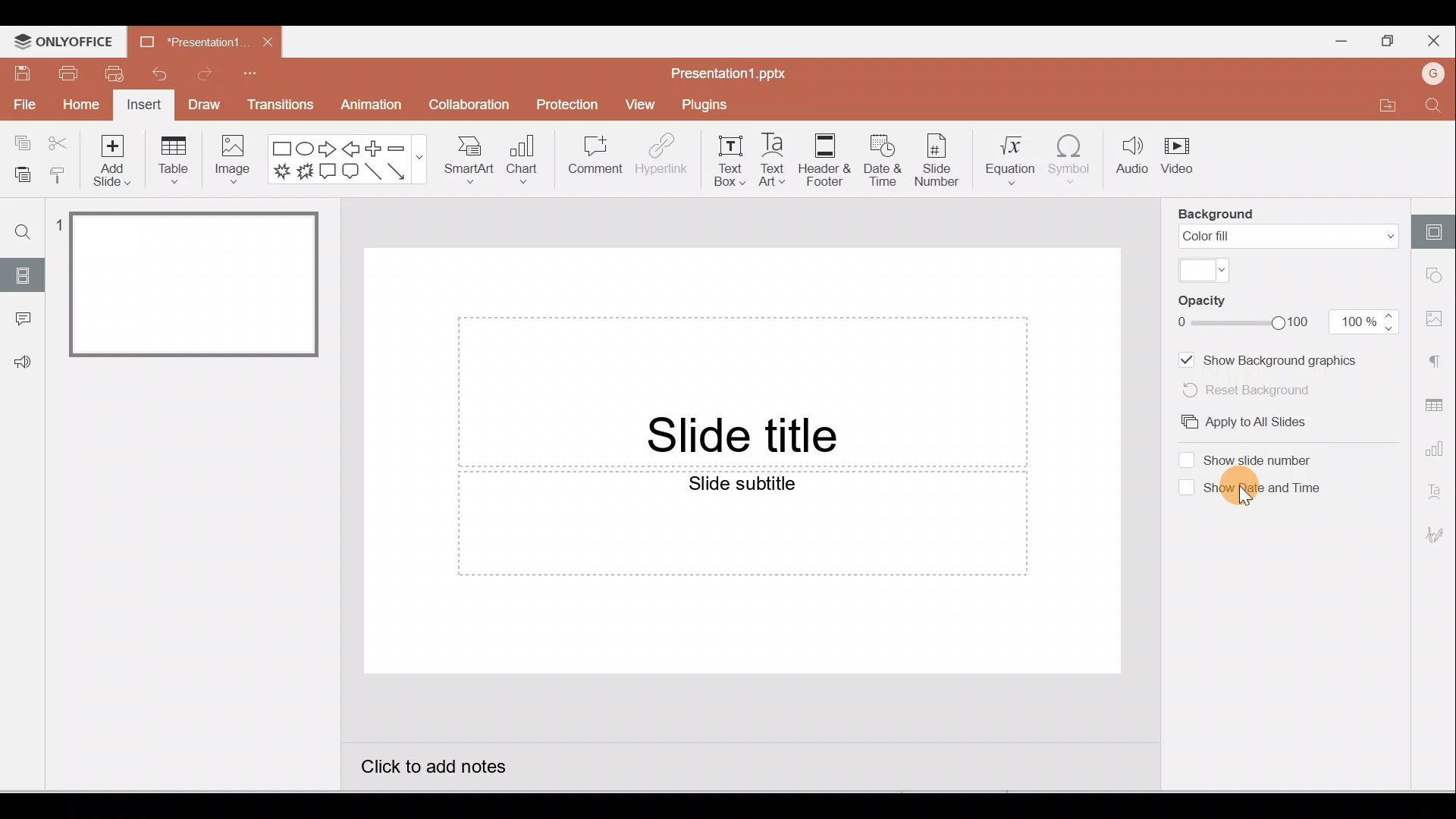 Image resolution: width=1456 pixels, height=819 pixels. I want to click on Table, so click(174, 161).